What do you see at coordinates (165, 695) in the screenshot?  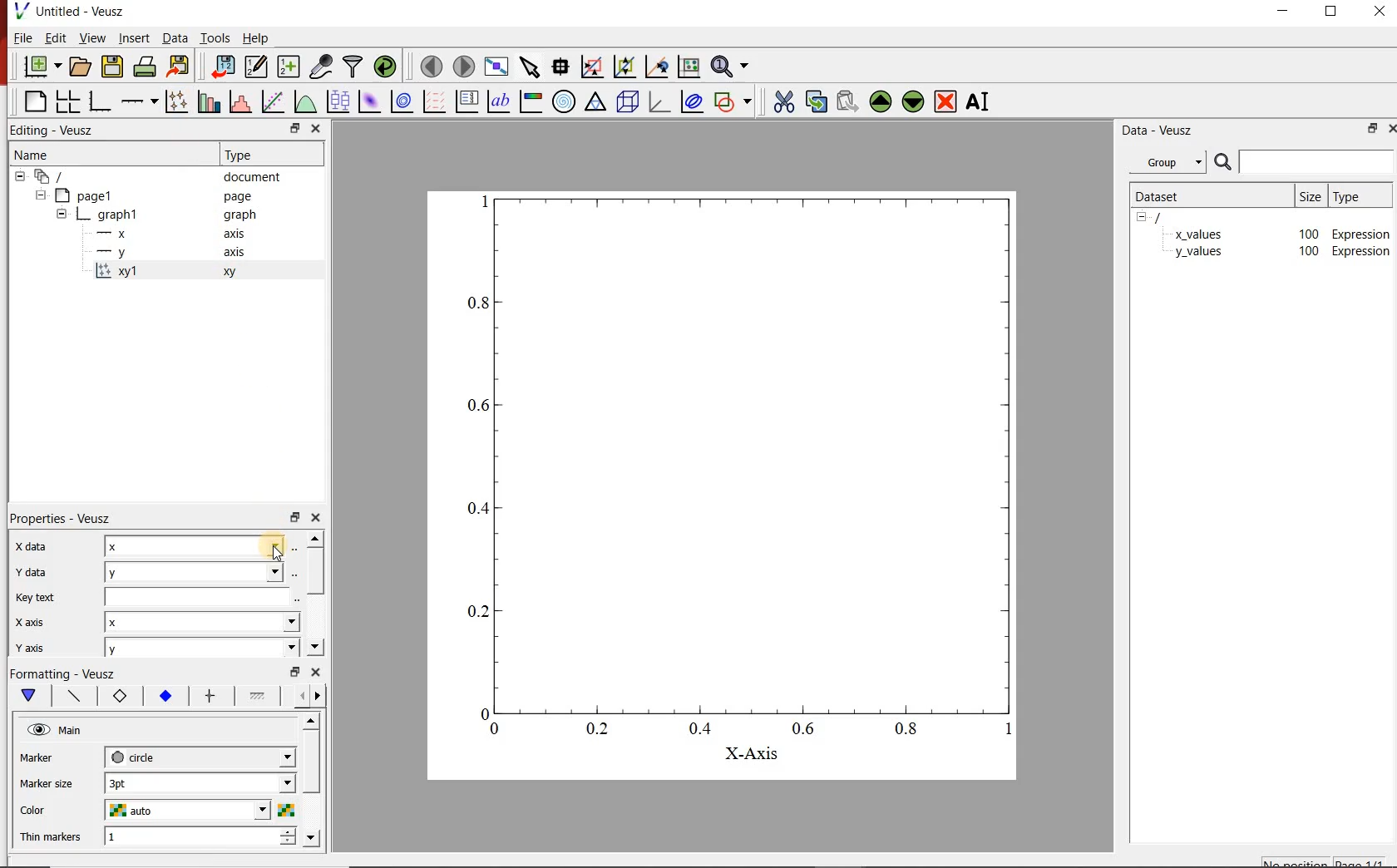 I see `marker fill` at bounding box center [165, 695].